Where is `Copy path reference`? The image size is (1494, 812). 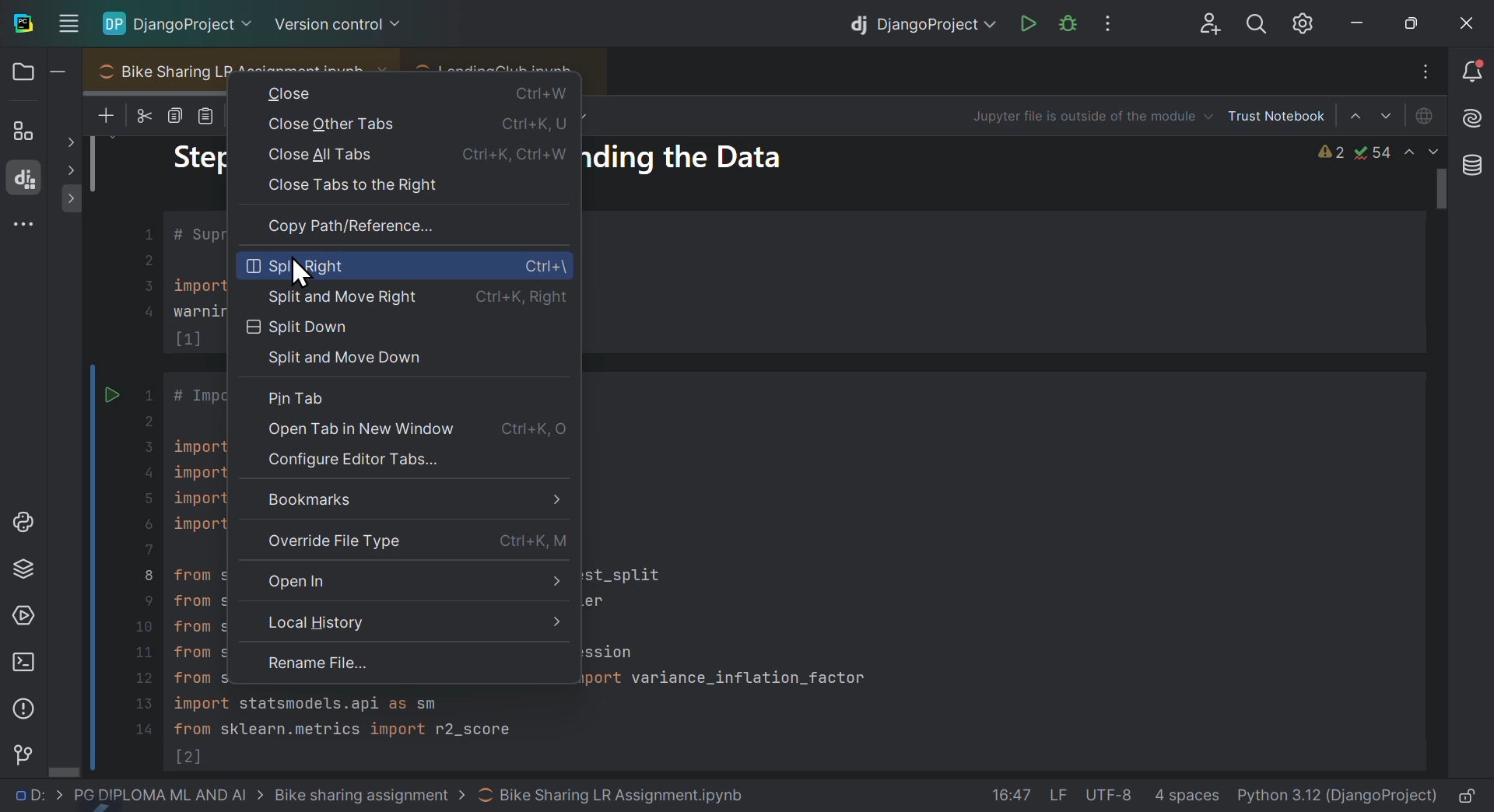
Copy path reference is located at coordinates (373, 224).